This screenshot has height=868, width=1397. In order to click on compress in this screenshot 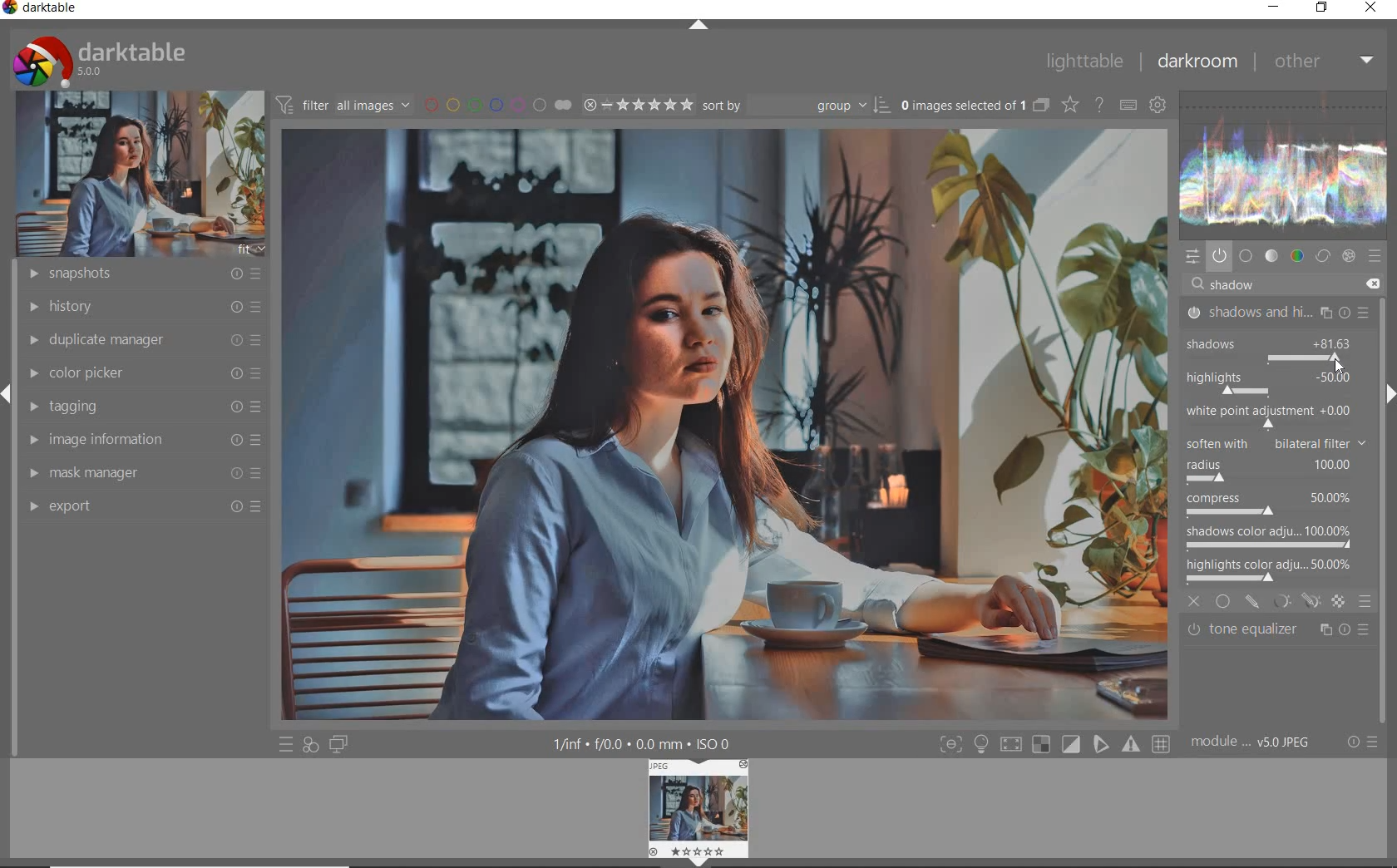, I will do `click(1271, 506)`.